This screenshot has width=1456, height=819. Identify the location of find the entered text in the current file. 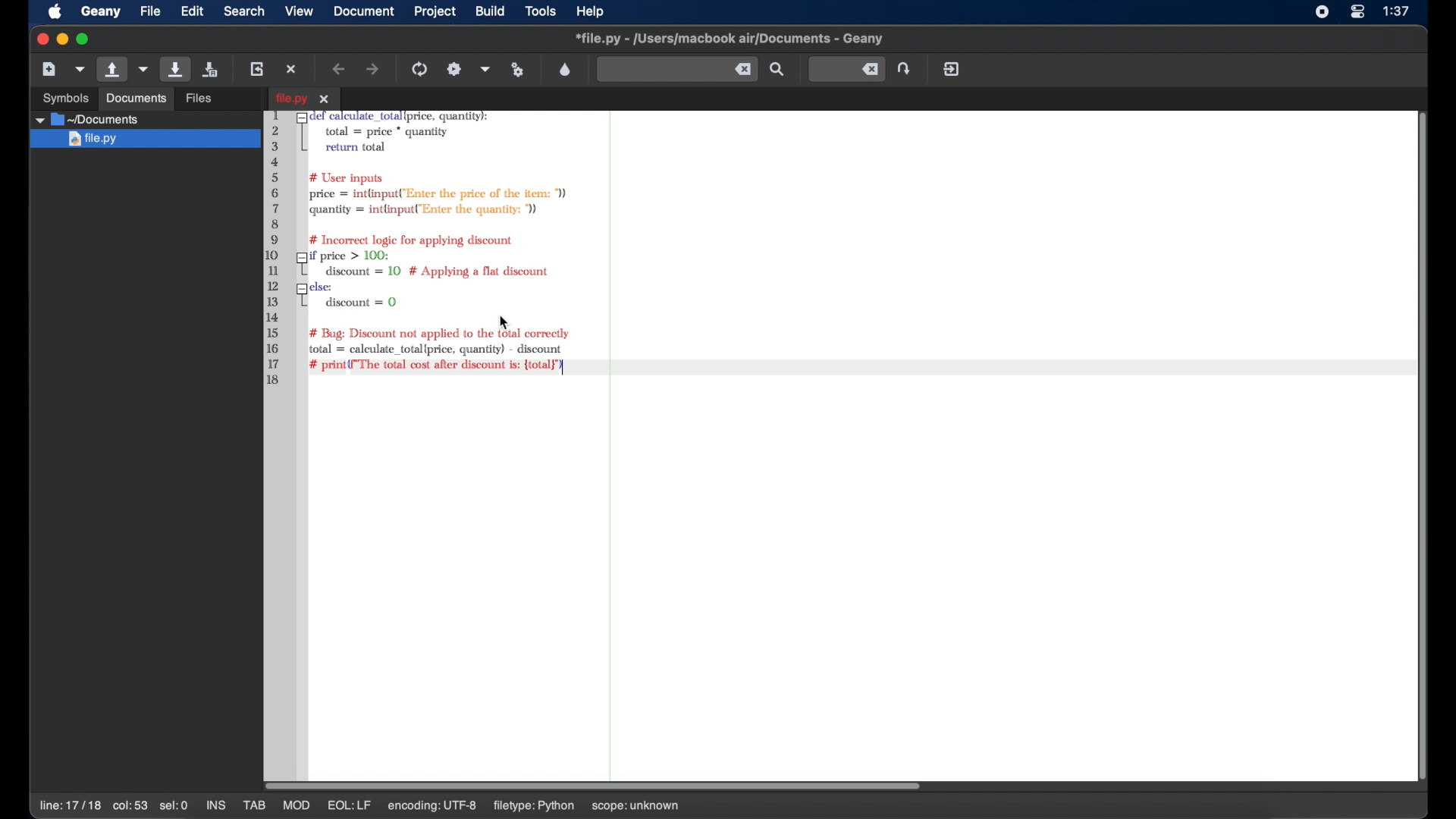
(778, 70).